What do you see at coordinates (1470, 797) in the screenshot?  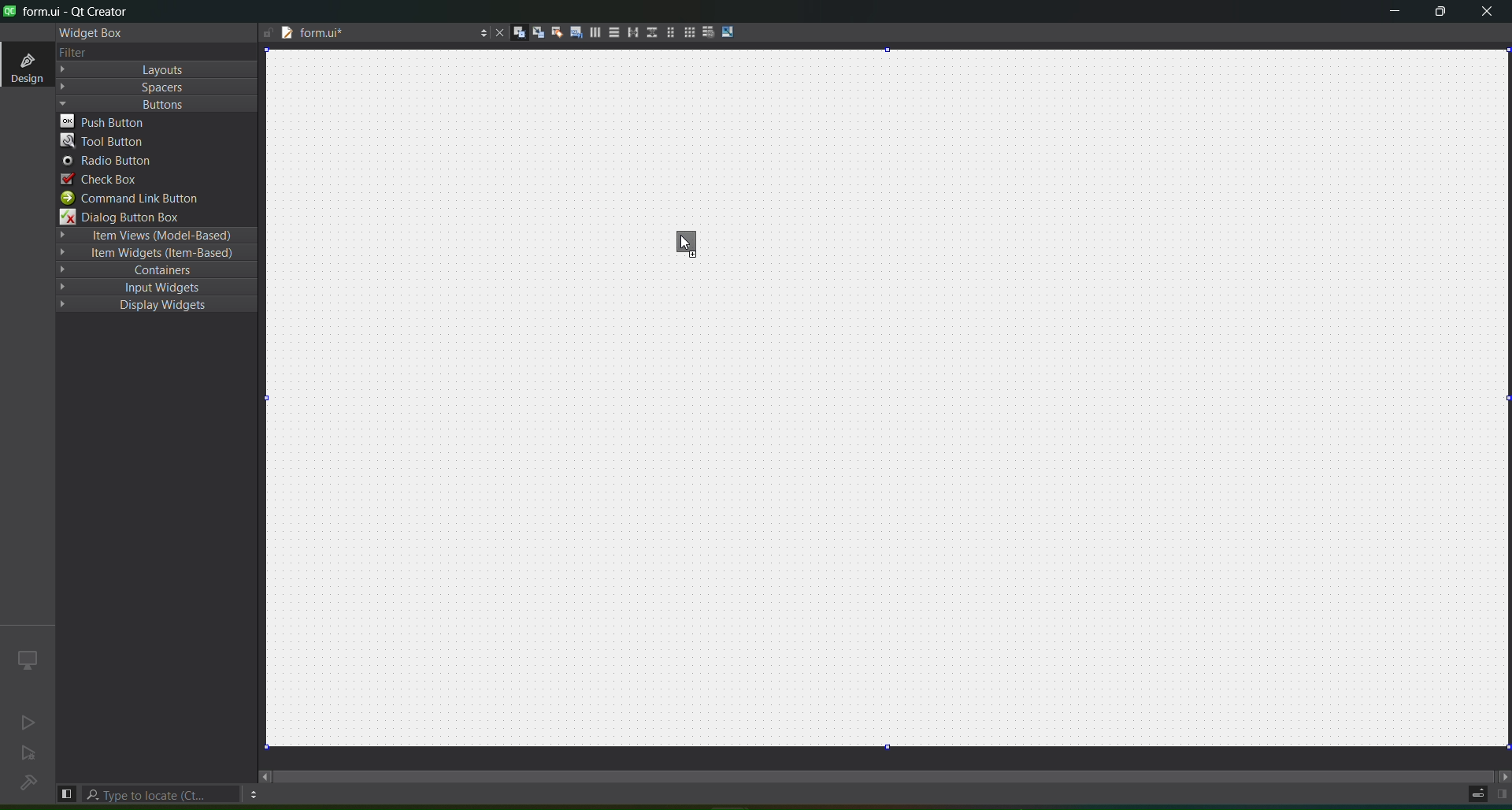 I see `progress details` at bounding box center [1470, 797].